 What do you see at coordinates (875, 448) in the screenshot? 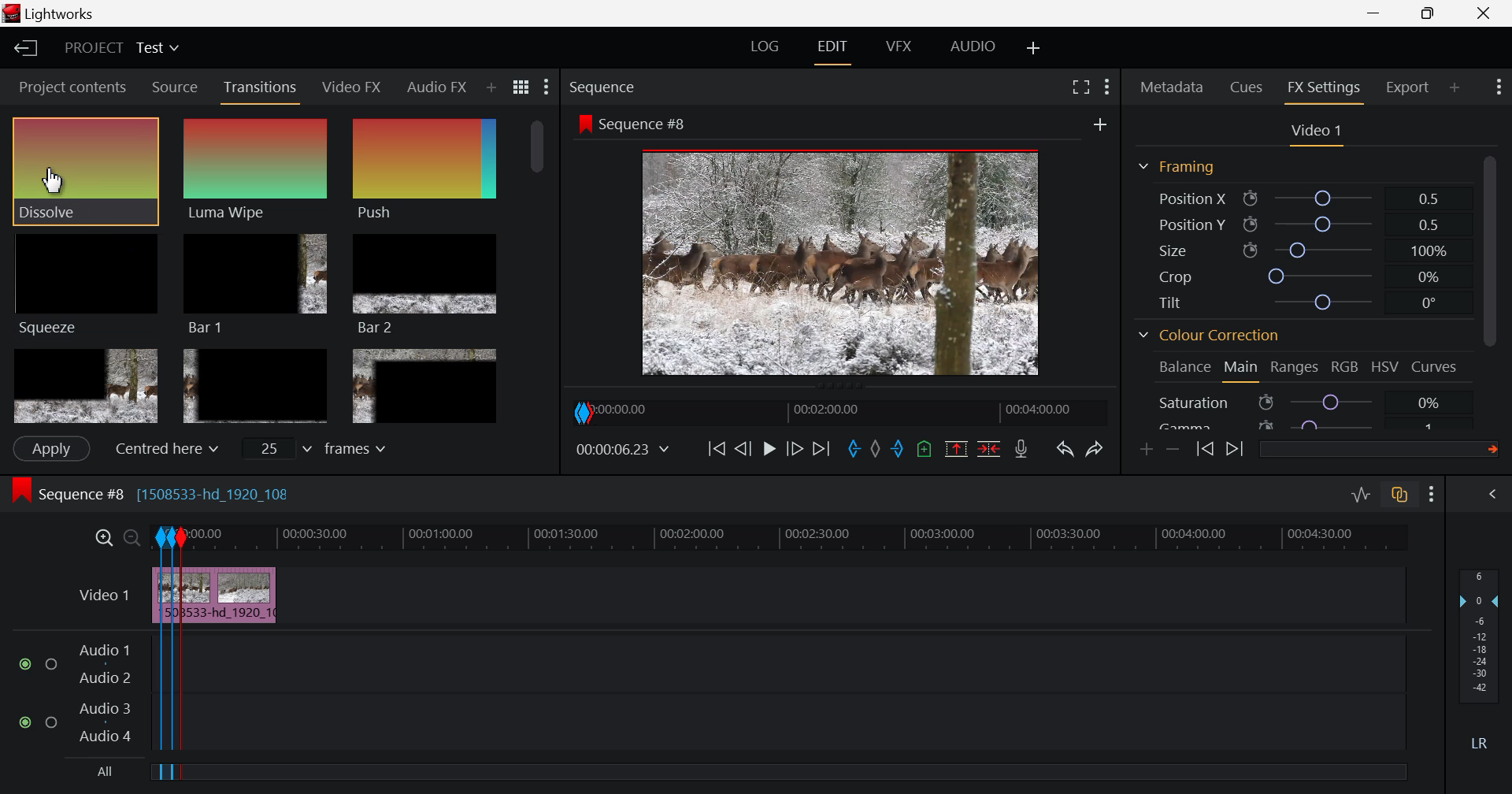
I see `Remove all marks` at bounding box center [875, 448].